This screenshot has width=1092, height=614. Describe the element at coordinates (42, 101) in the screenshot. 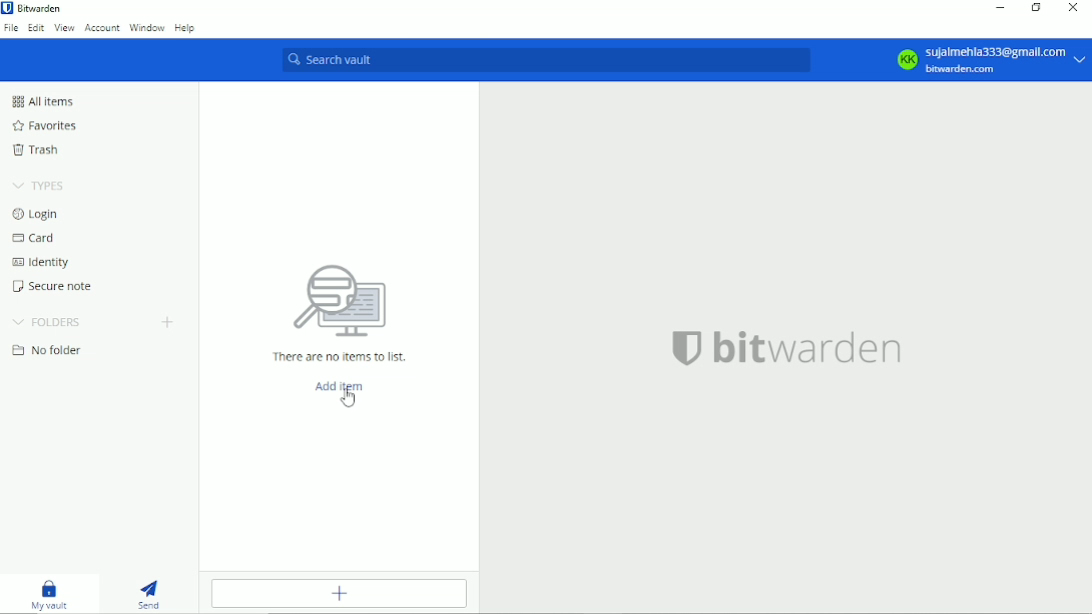

I see `All items` at that location.